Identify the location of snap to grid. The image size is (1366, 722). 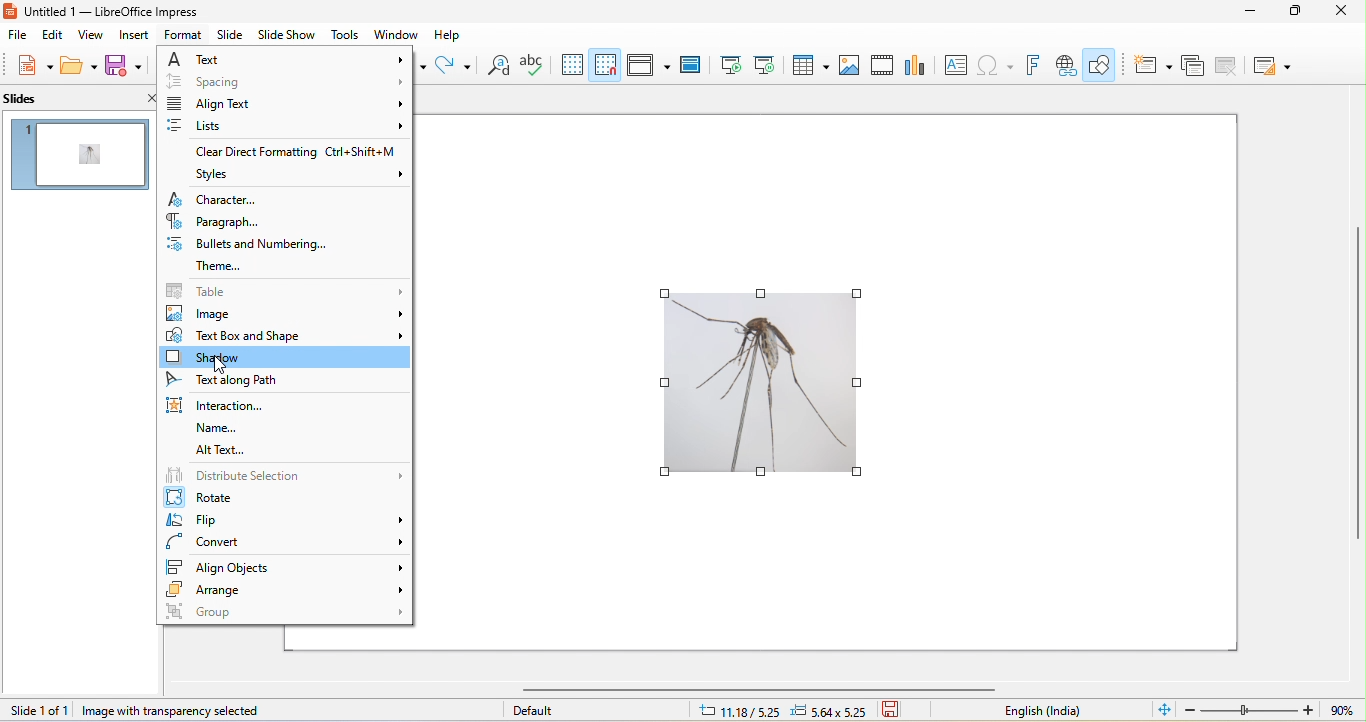
(604, 65).